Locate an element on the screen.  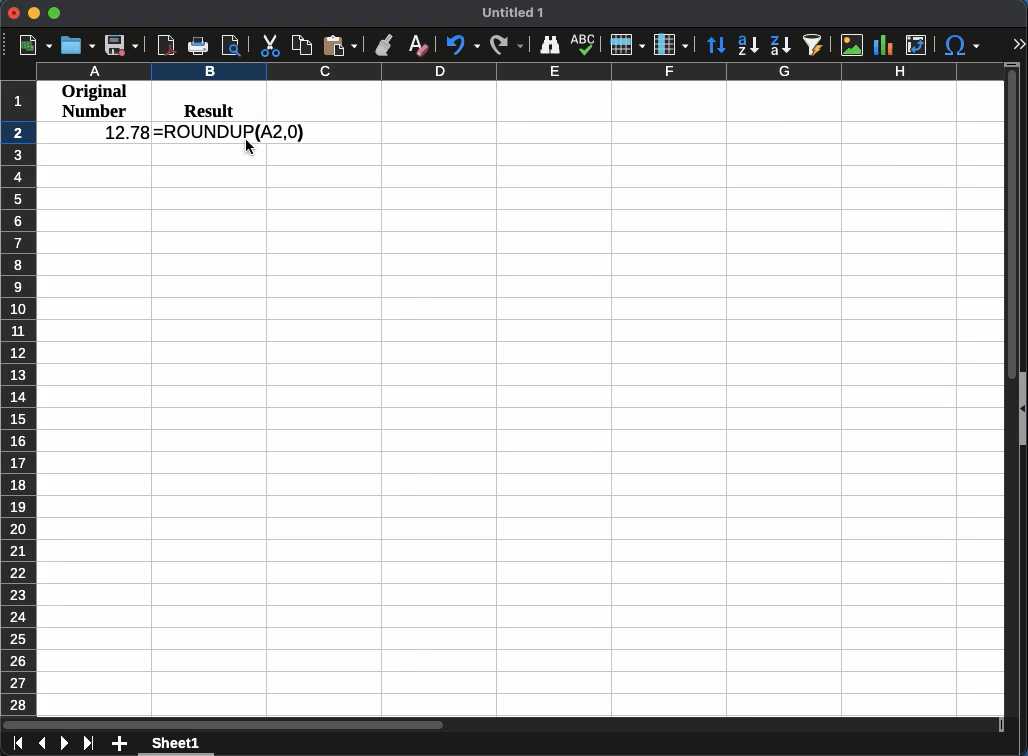
previous sheet is located at coordinates (43, 743).